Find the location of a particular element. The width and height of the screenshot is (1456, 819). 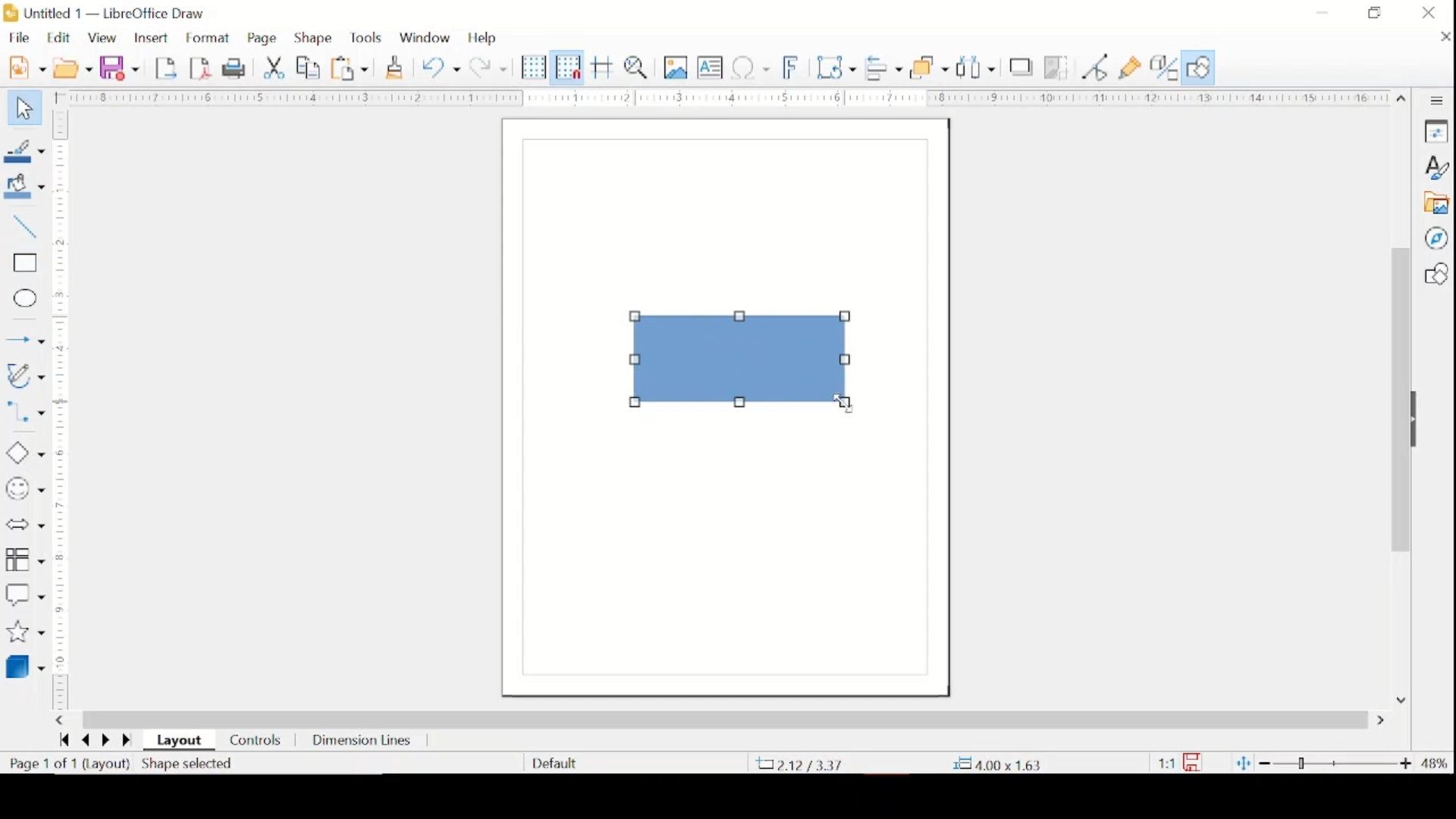

window is located at coordinates (425, 36).